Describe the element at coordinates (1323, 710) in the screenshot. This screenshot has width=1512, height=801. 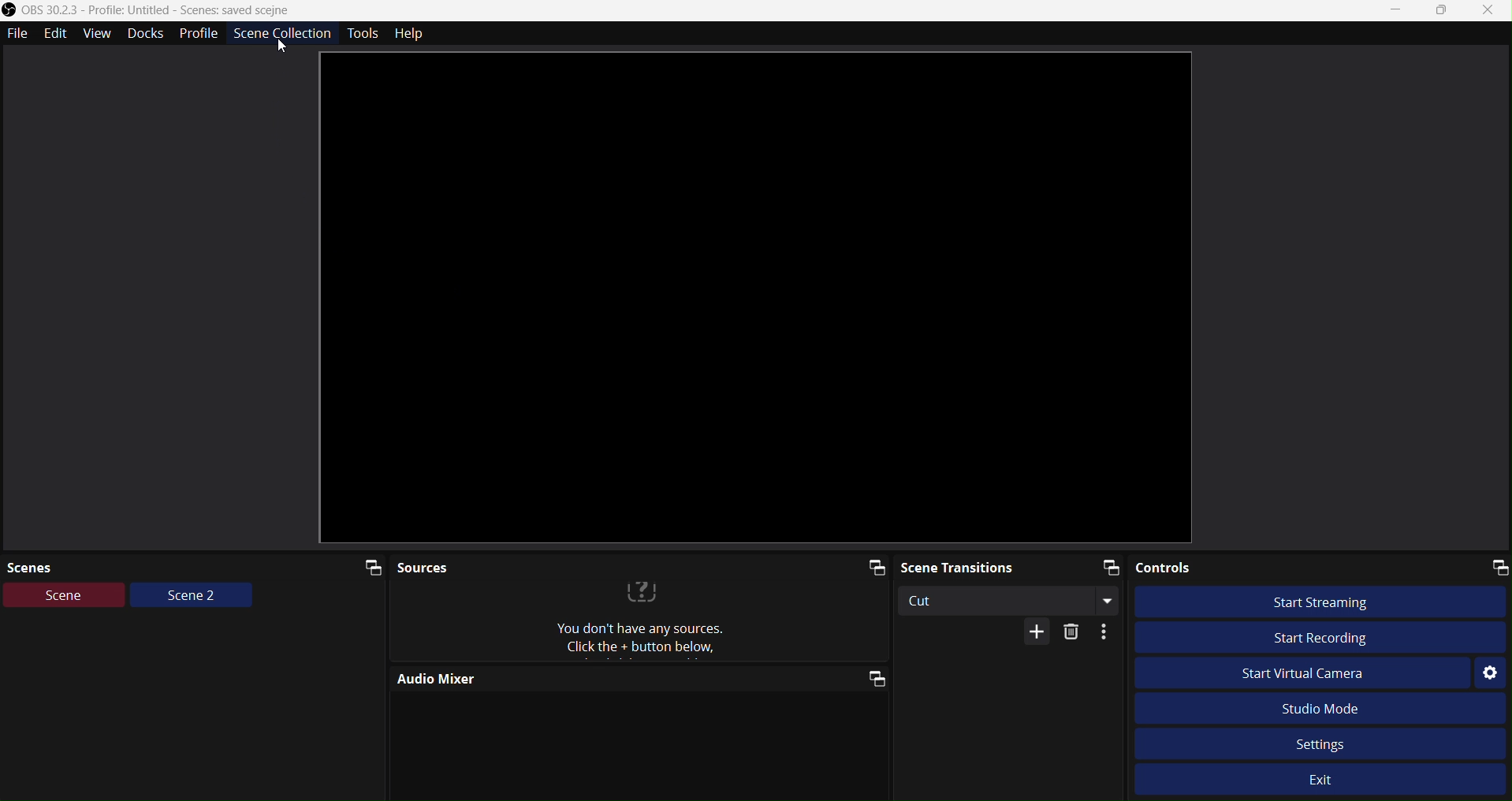
I see `Studio Mode` at that location.